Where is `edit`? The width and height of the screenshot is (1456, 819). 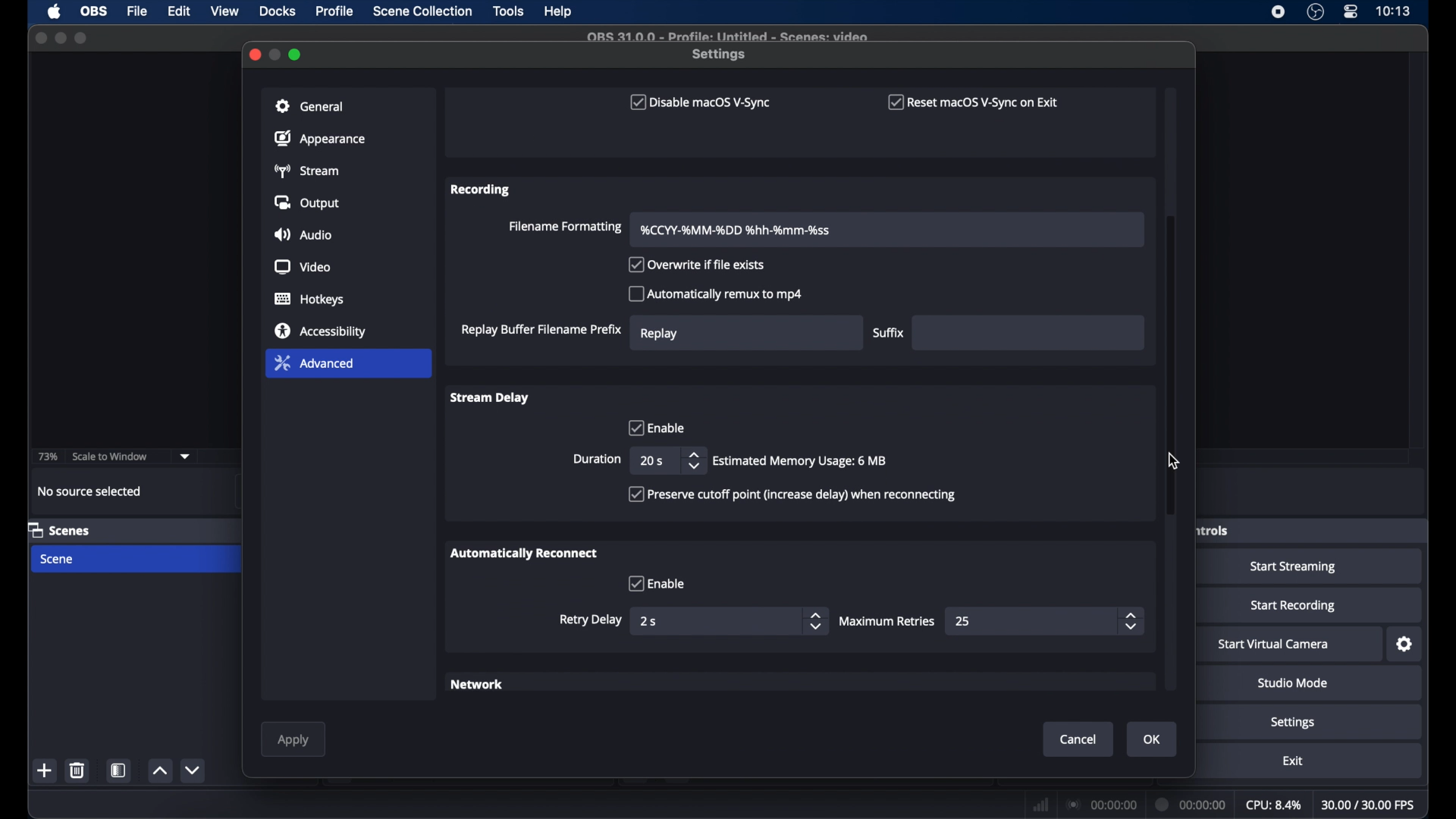
edit is located at coordinates (178, 11).